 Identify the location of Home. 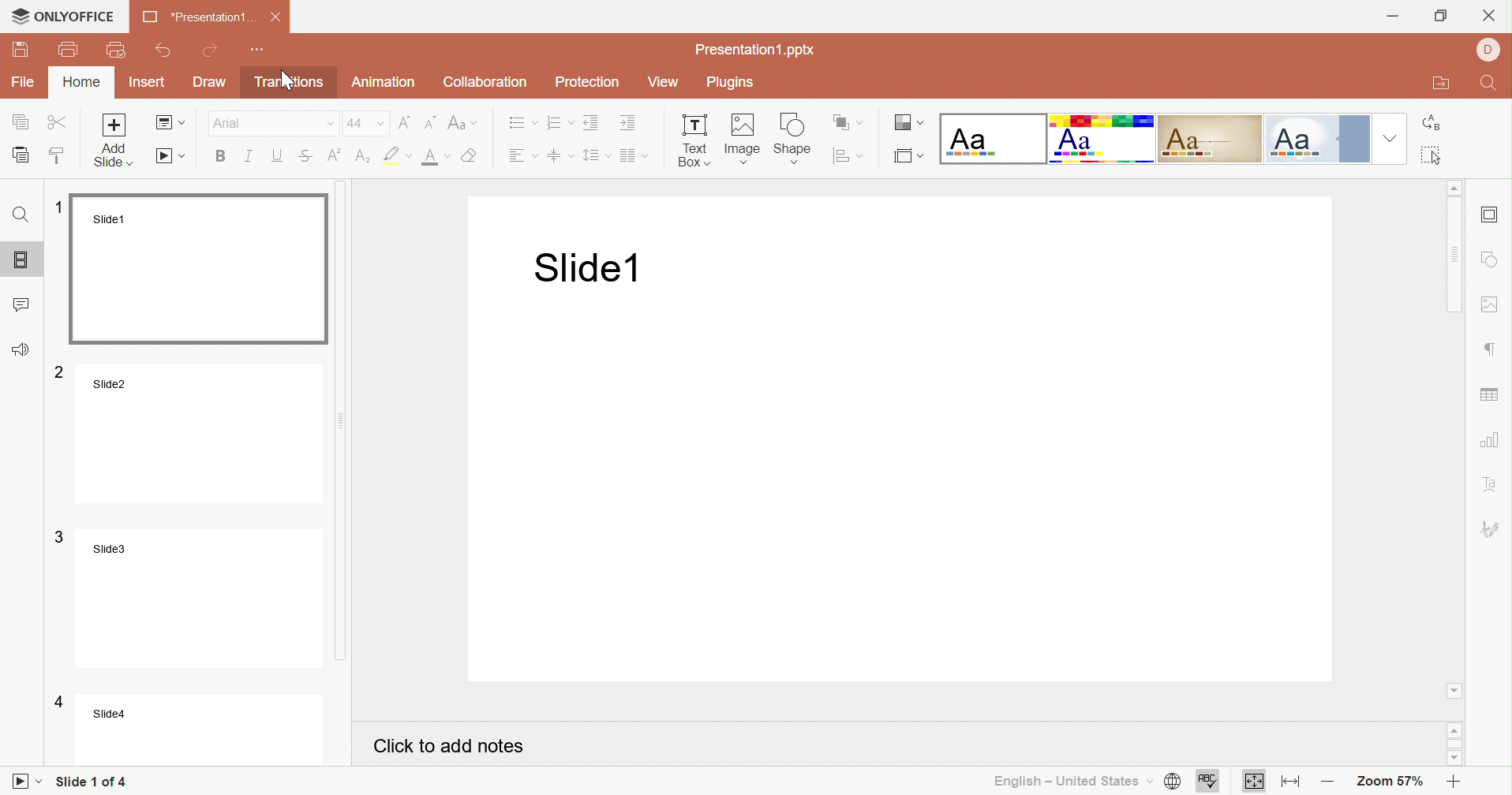
(81, 81).